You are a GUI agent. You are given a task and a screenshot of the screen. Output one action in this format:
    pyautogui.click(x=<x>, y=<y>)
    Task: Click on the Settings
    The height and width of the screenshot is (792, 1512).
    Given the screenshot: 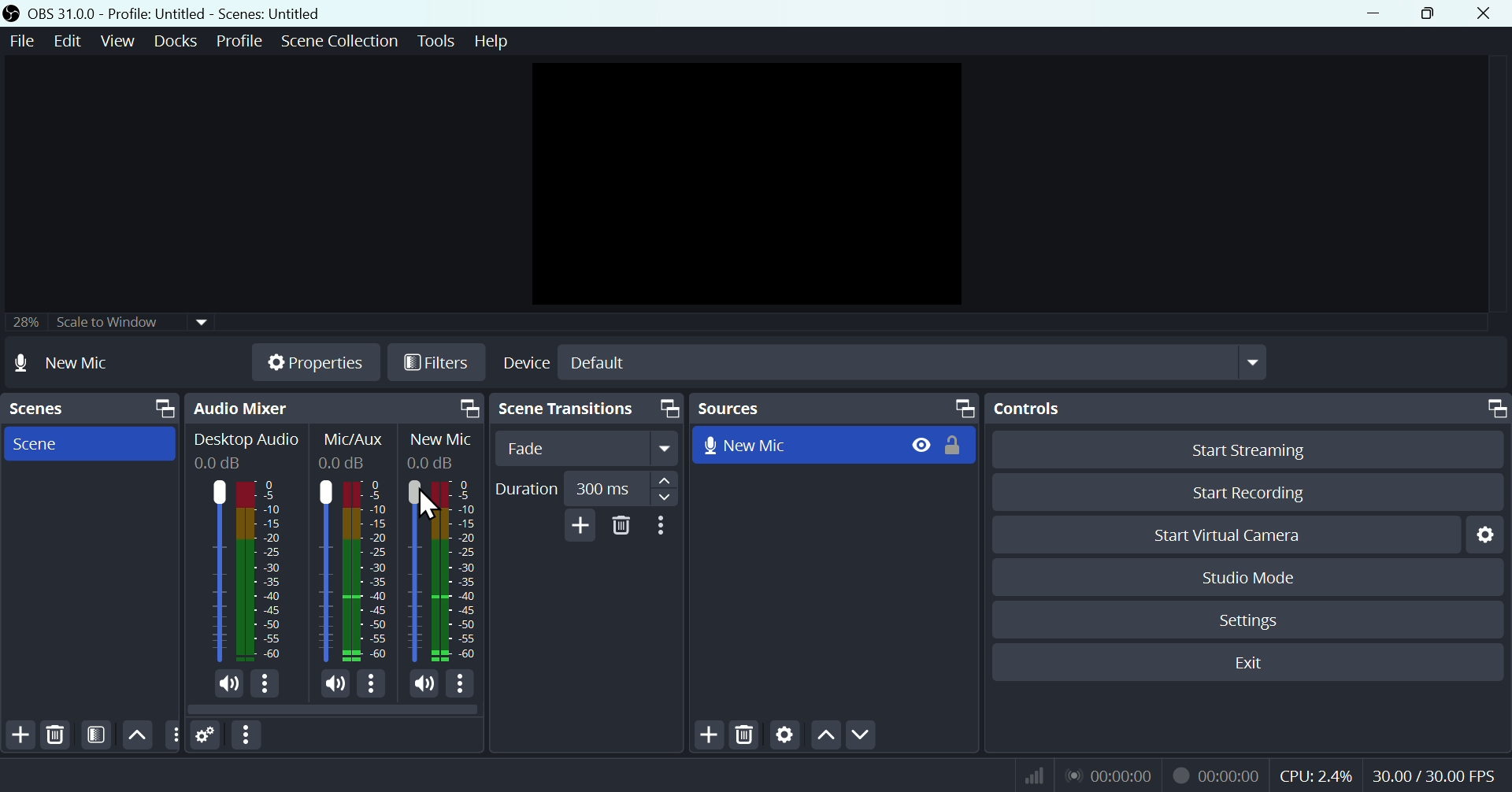 What is the action you would take?
    pyautogui.click(x=1252, y=620)
    